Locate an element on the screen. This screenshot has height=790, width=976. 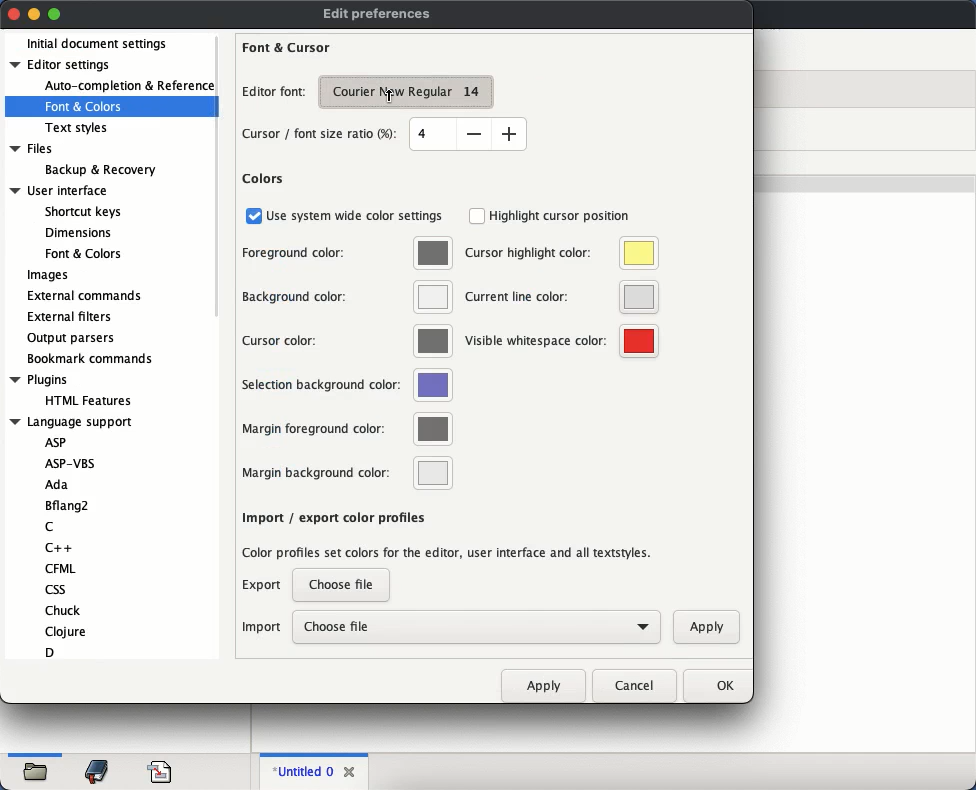
dimensions is located at coordinates (76, 232).